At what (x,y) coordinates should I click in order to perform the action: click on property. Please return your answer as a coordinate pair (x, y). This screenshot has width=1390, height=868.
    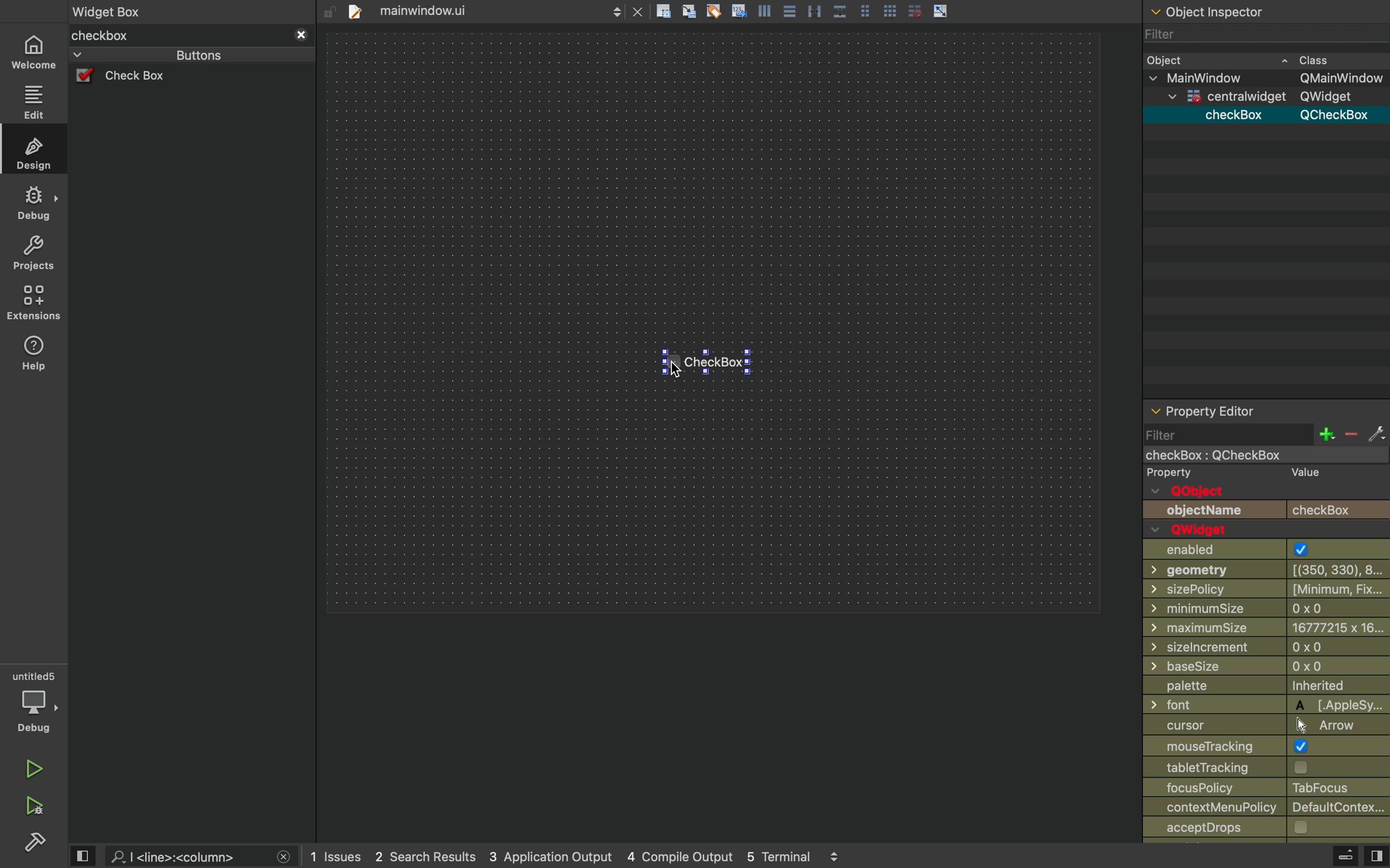
    Looking at the image, I should click on (1171, 474).